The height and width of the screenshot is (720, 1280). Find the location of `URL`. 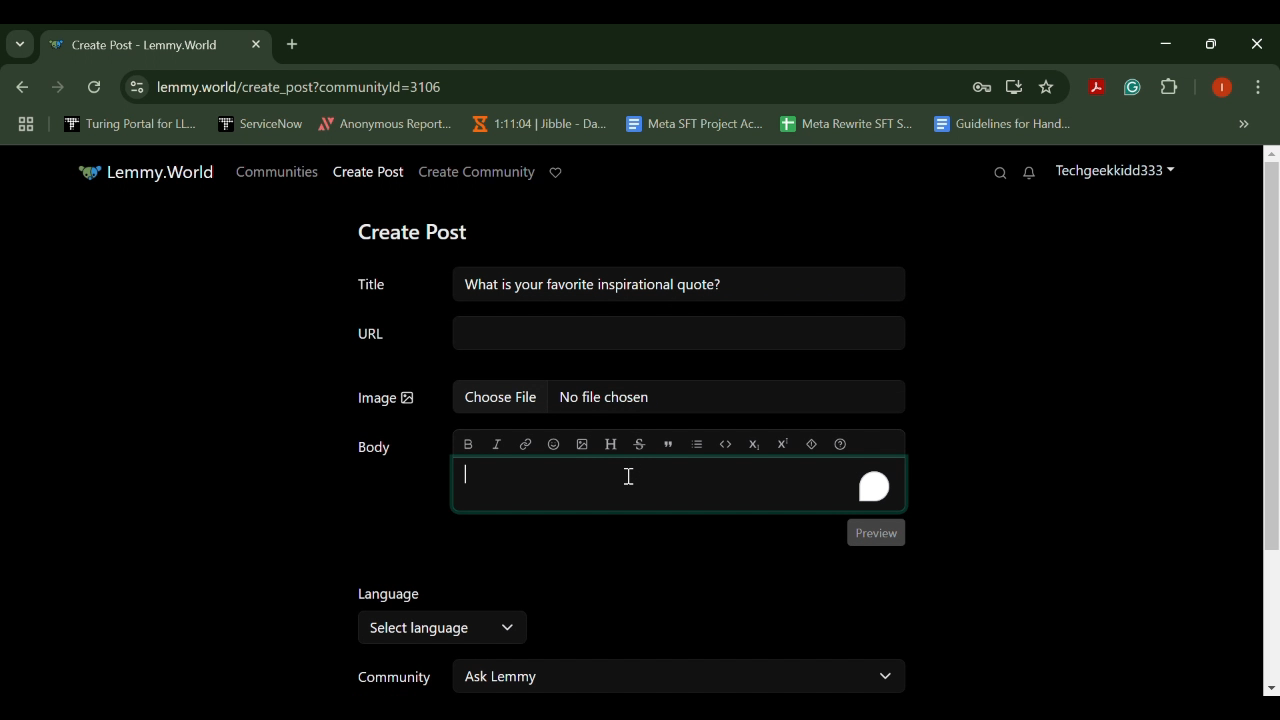

URL is located at coordinates (630, 334).